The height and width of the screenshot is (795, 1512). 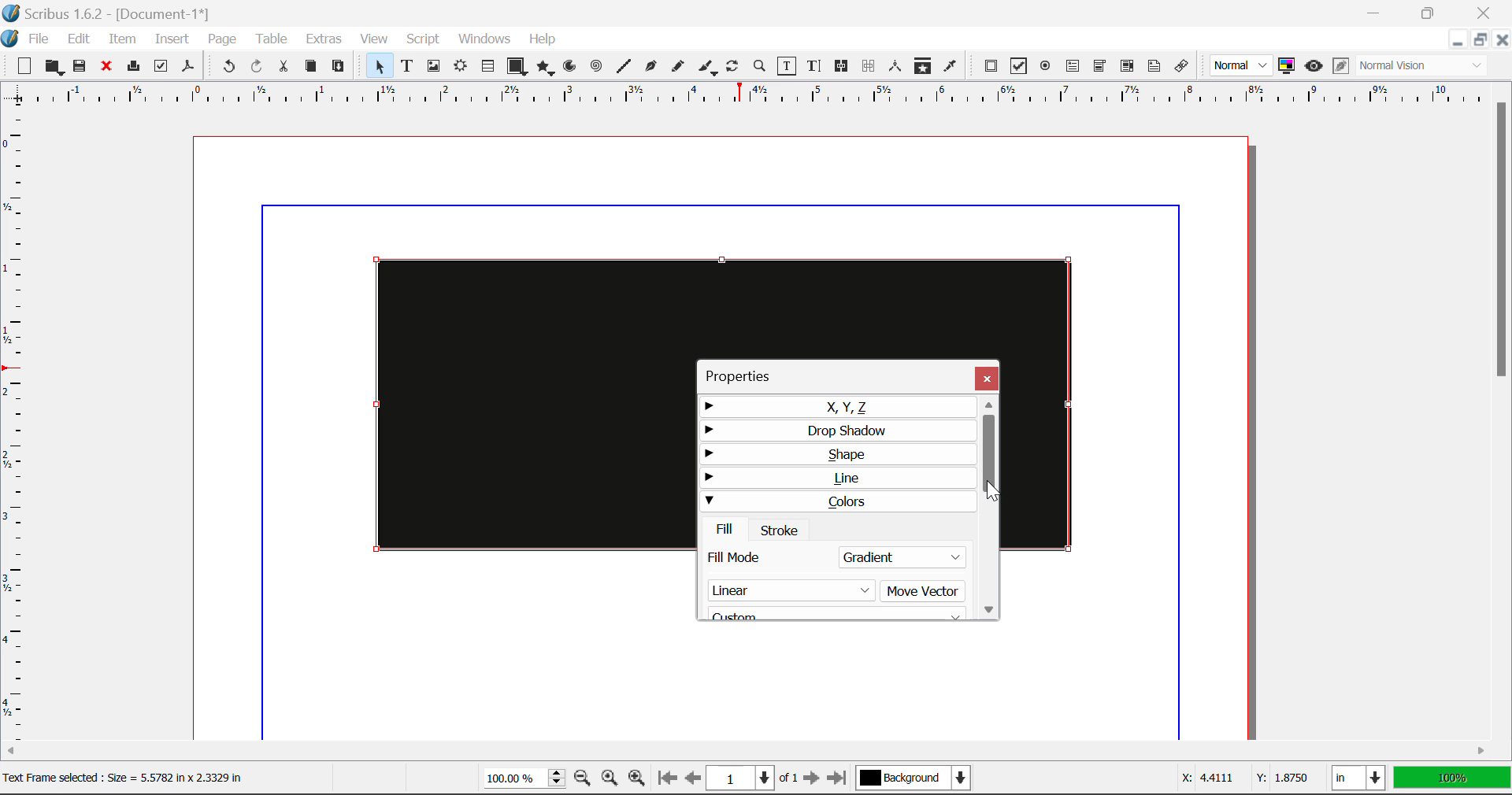 I want to click on Eyedropper, so click(x=950, y=68).